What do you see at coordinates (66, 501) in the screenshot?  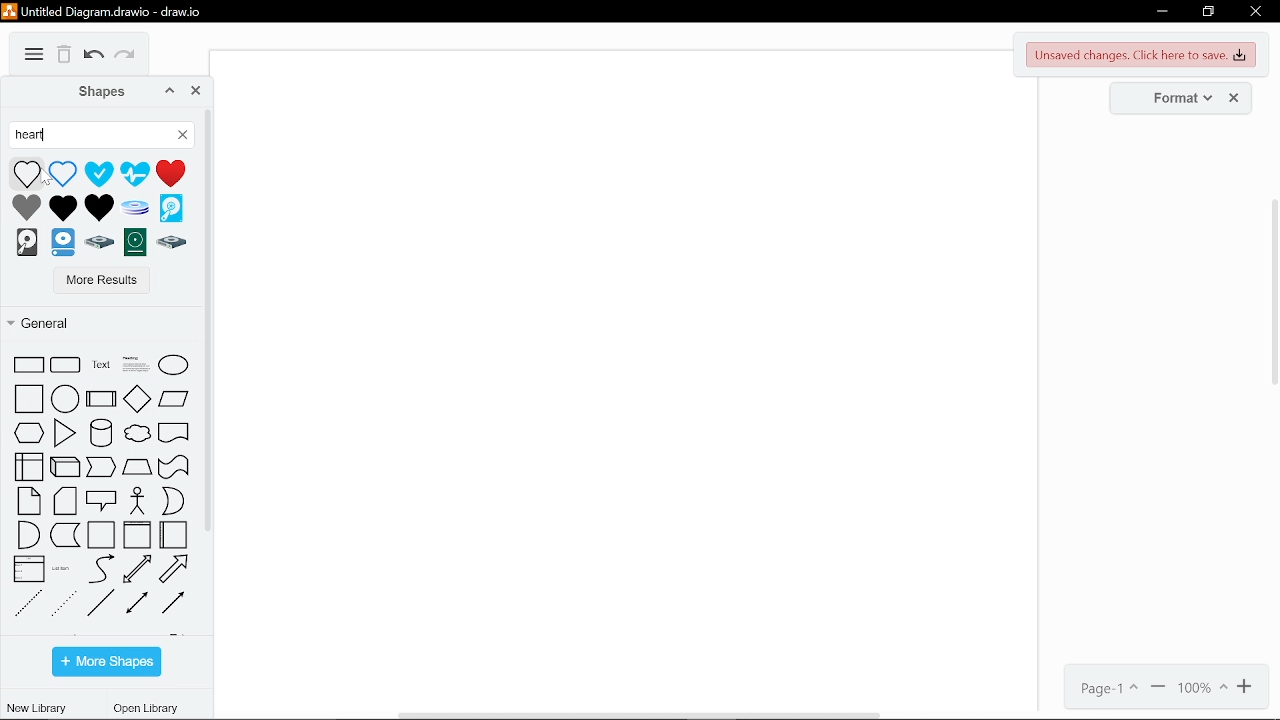 I see `card` at bounding box center [66, 501].